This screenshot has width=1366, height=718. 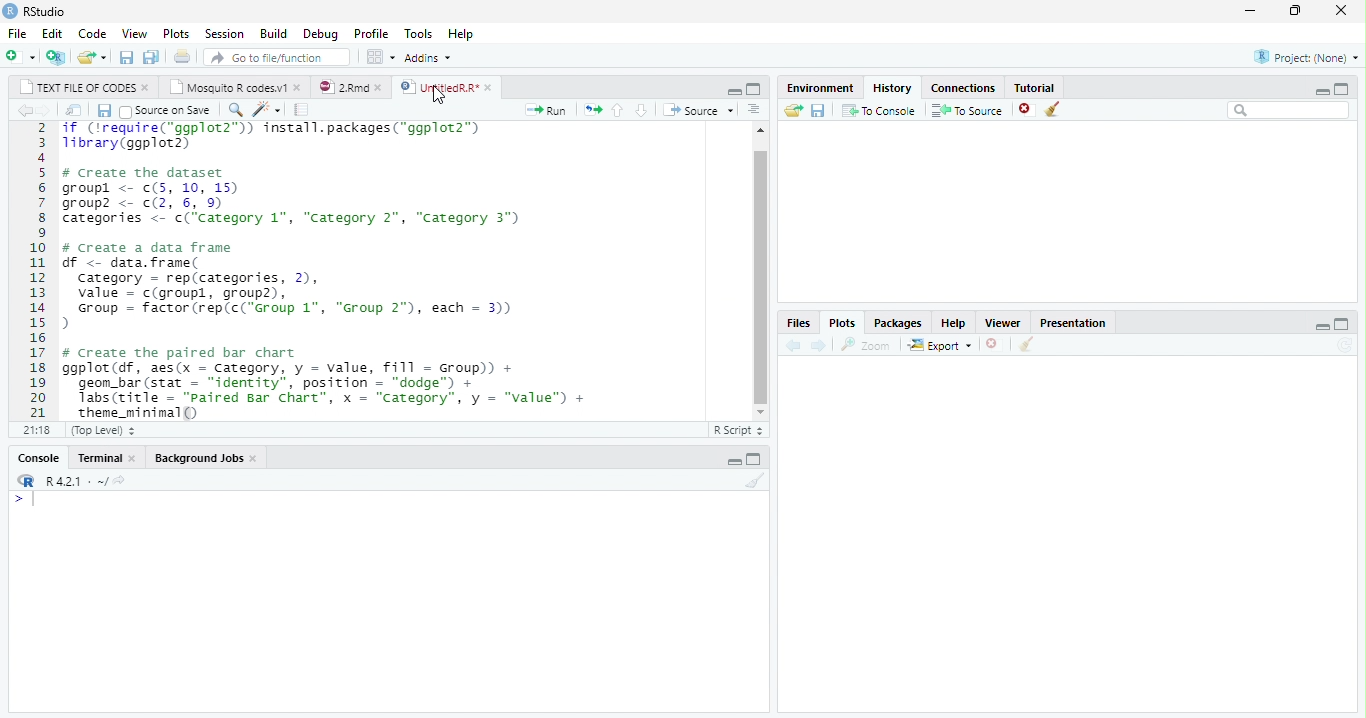 What do you see at coordinates (105, 431) in the screenshot?
I see `(top level)` at bounding box center [105, 431].